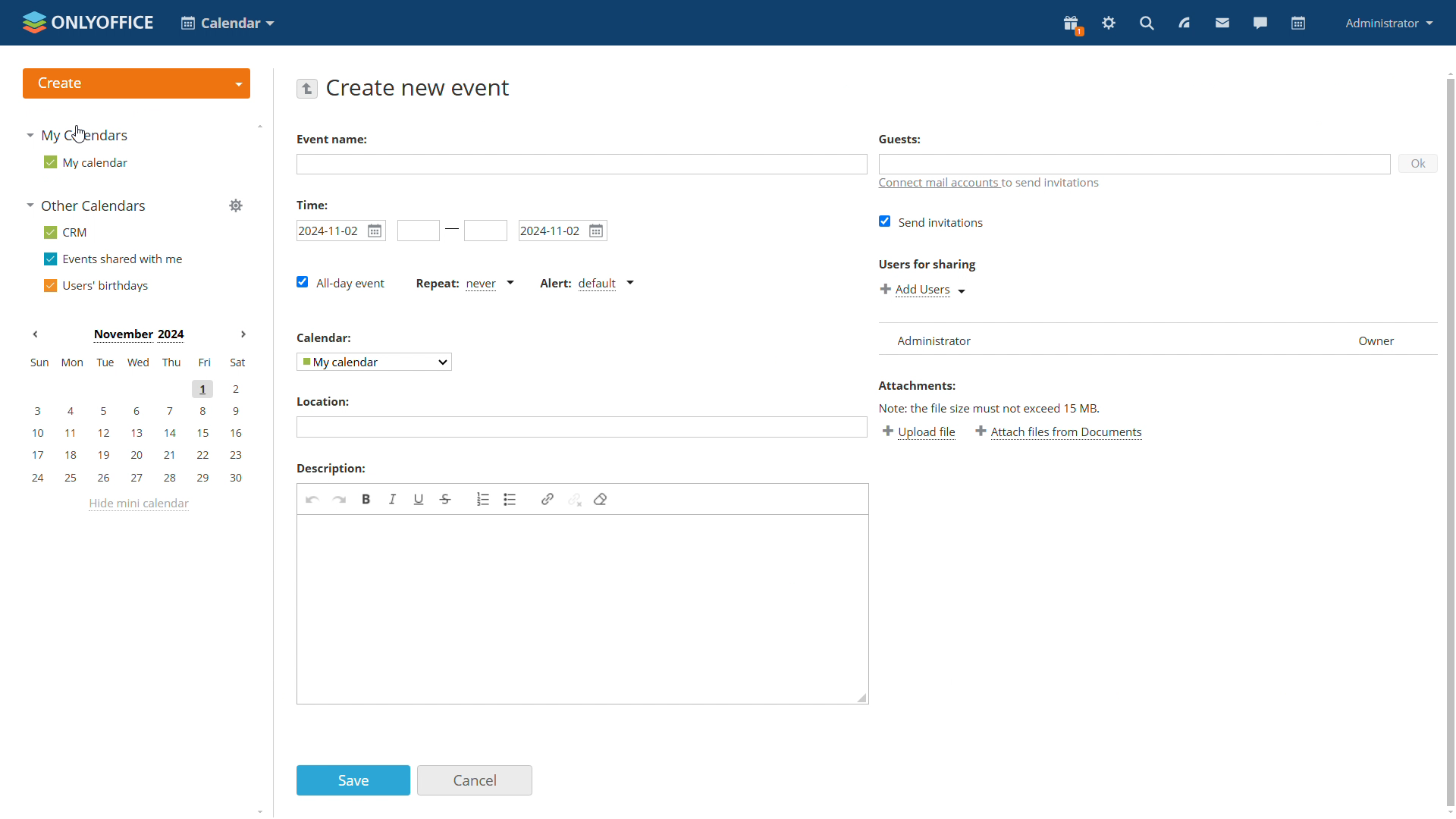 Image resolution: width=1456 pixels, height=819 pixels. What do you see at coordinates (1156, 337) in the screenshot?
I see `list of invitees` at bounding box center [1156, 337].